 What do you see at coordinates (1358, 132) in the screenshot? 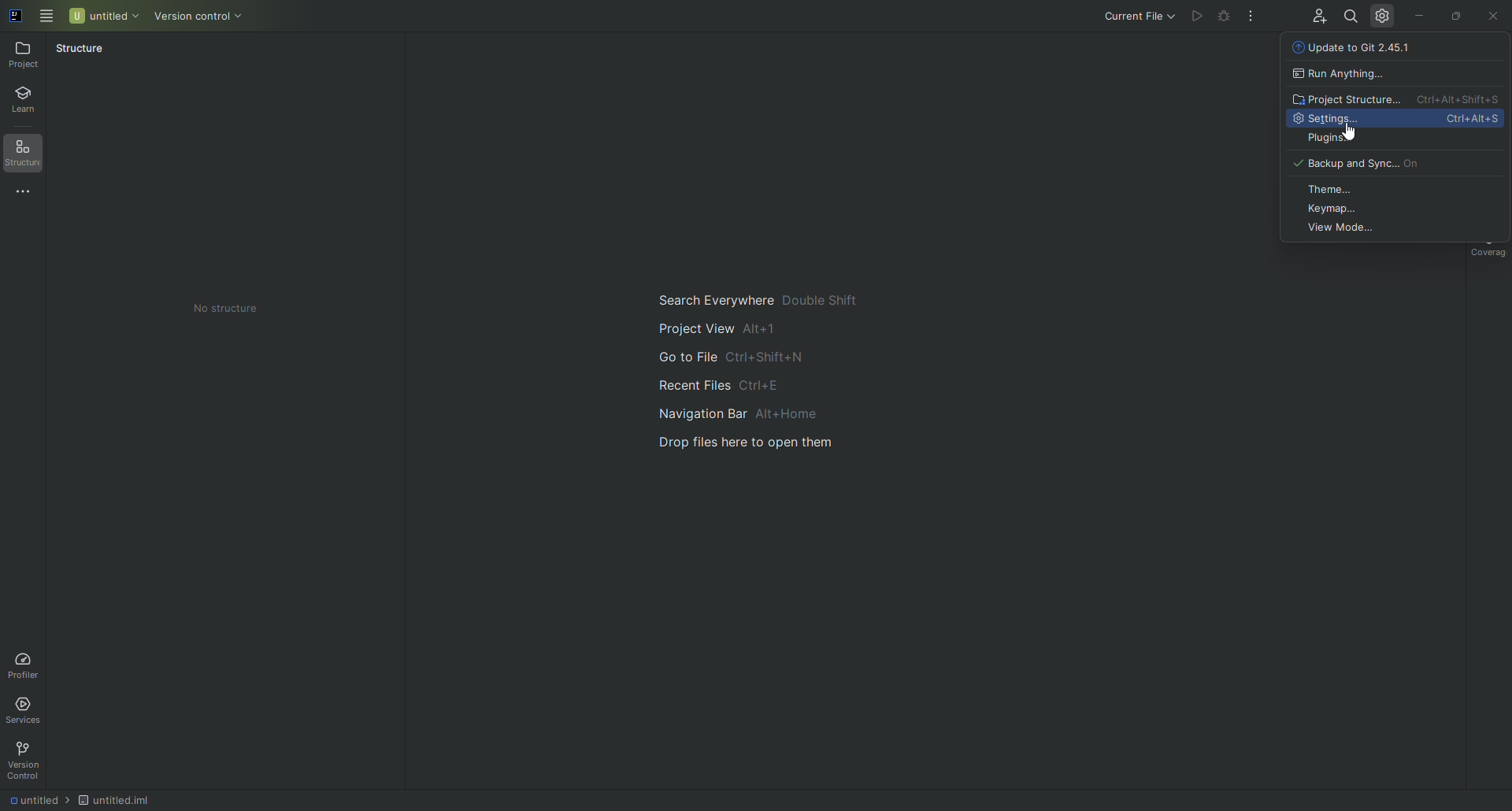
I see `Pointer` at bounding box center [1358, 132].